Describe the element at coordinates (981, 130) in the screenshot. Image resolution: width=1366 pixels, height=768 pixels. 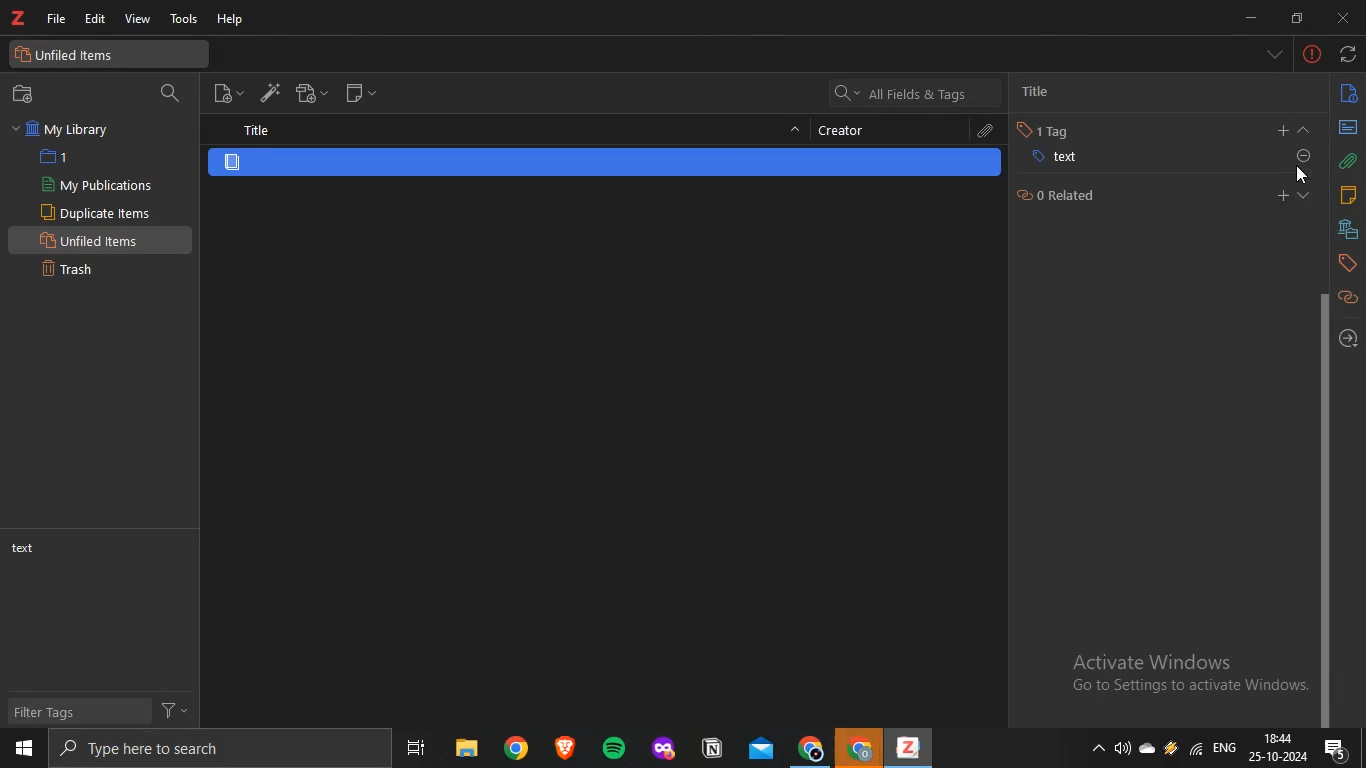
I see `attachments` at that location.